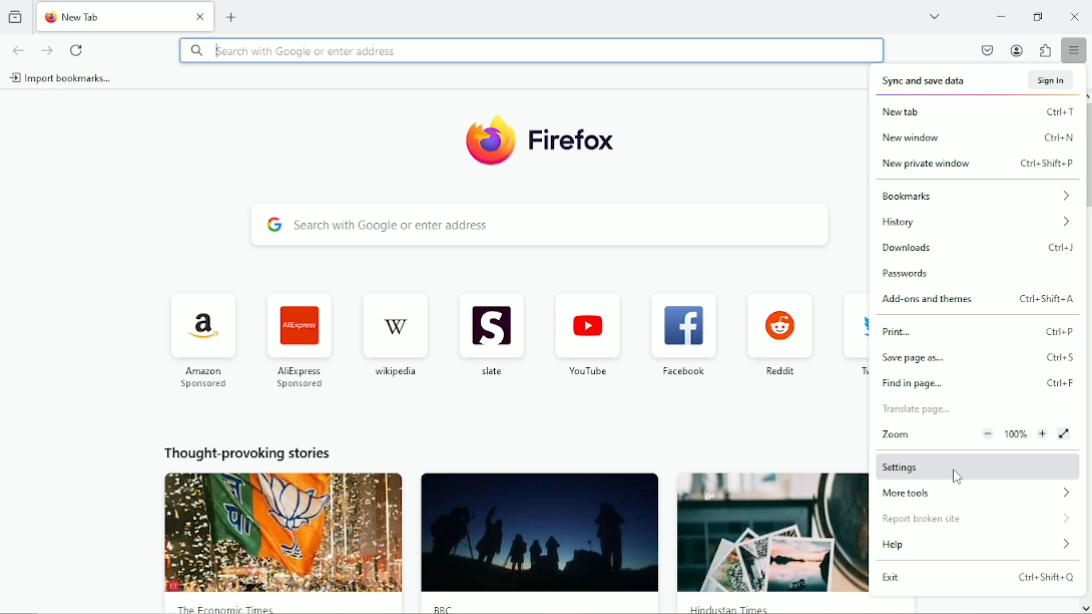 This screenshot has height=614, width=1092. What do you see at coordinates (978, 544) in the screenshot?
I see `Help >` at bounding box center [978, 544].